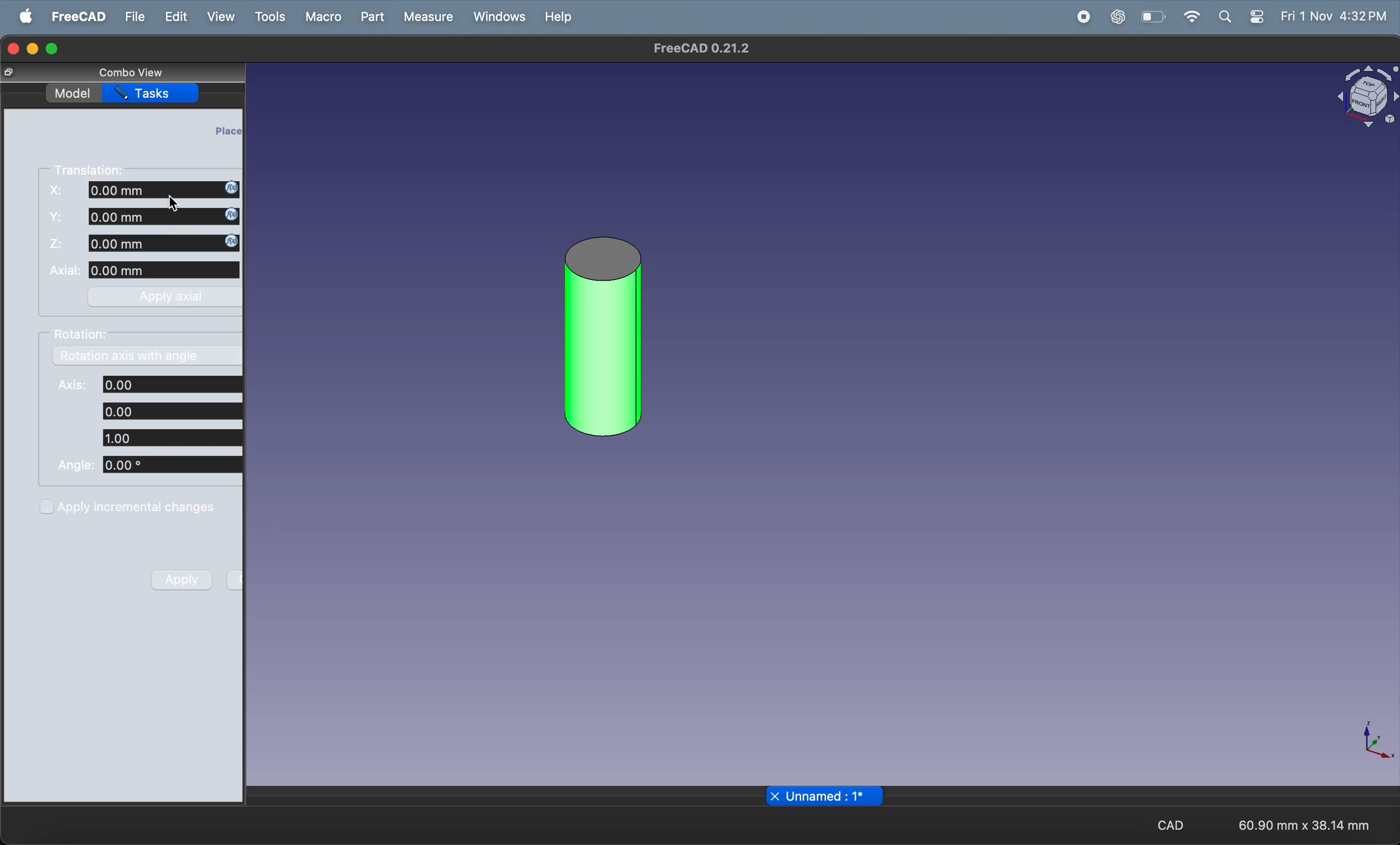  What do you see at coordinates (604, 337) in the screenshot?
I see `cylinder 001` at bounding box center [604, 337].